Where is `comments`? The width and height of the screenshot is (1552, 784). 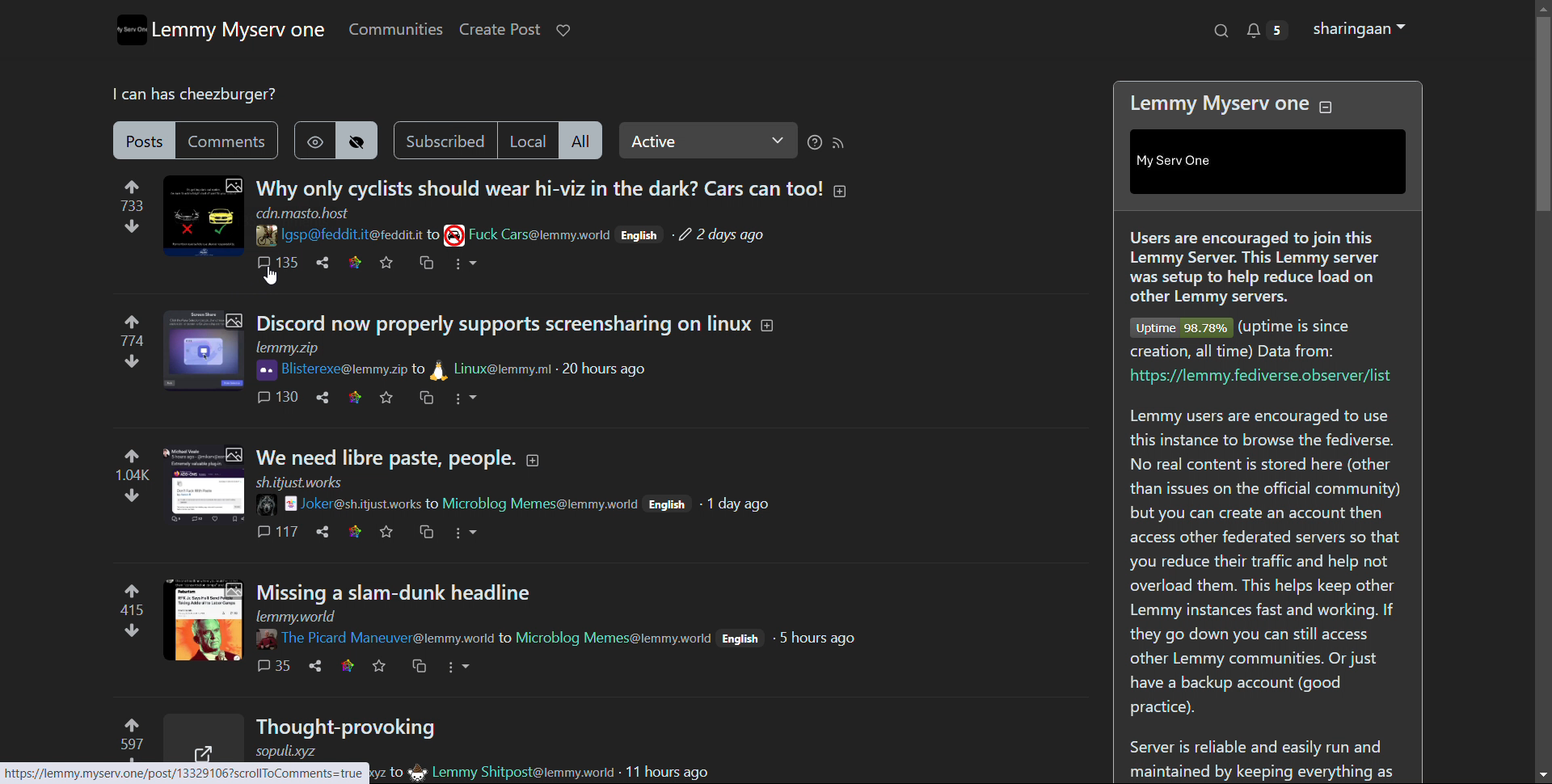
comments is located at coordinates (276, 263).